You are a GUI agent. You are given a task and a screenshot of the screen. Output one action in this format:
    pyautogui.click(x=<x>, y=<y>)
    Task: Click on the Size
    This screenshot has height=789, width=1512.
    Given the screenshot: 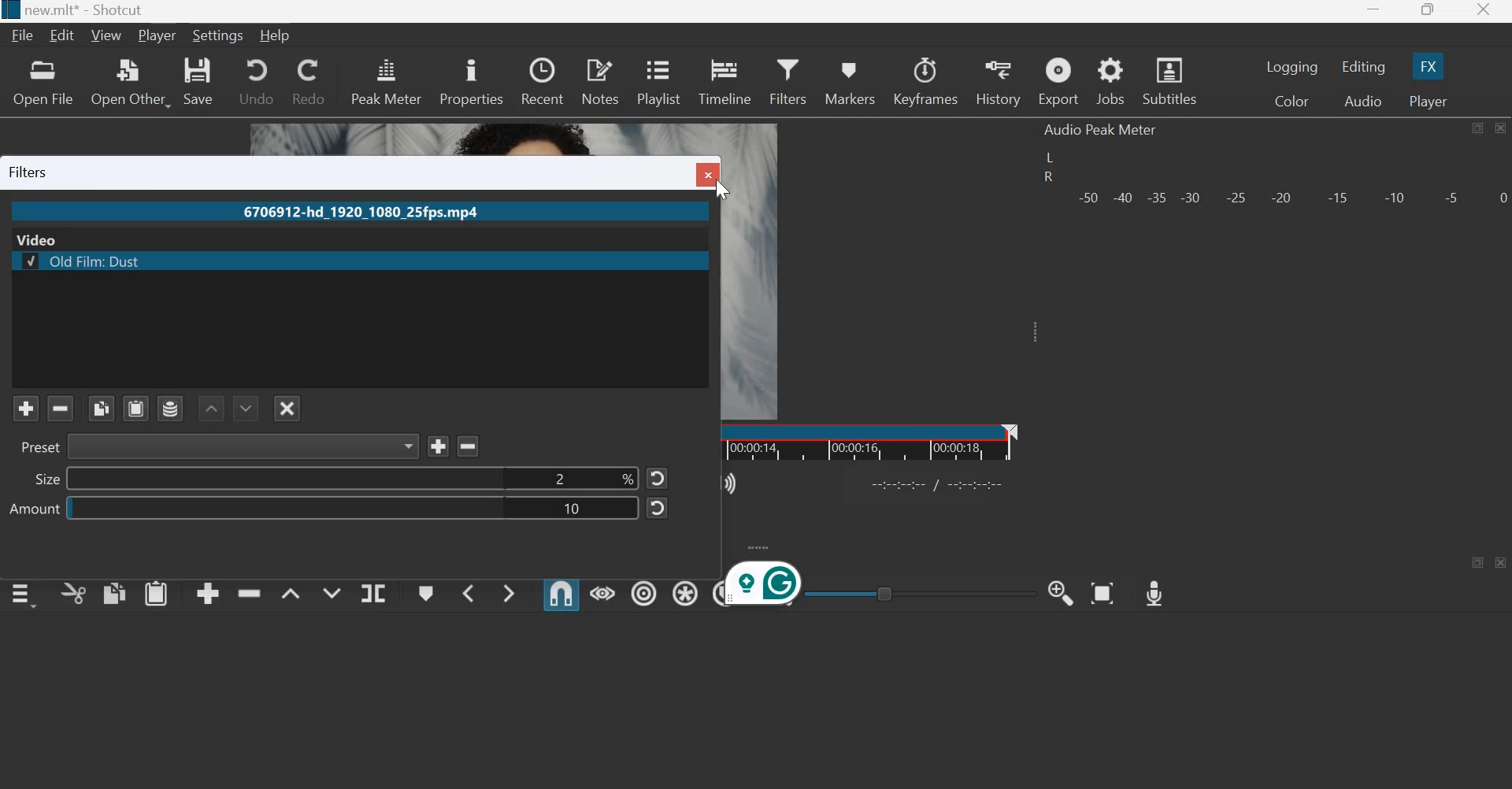 What is the action you would take?
    pyautogui.click(x=45, y=480)
    